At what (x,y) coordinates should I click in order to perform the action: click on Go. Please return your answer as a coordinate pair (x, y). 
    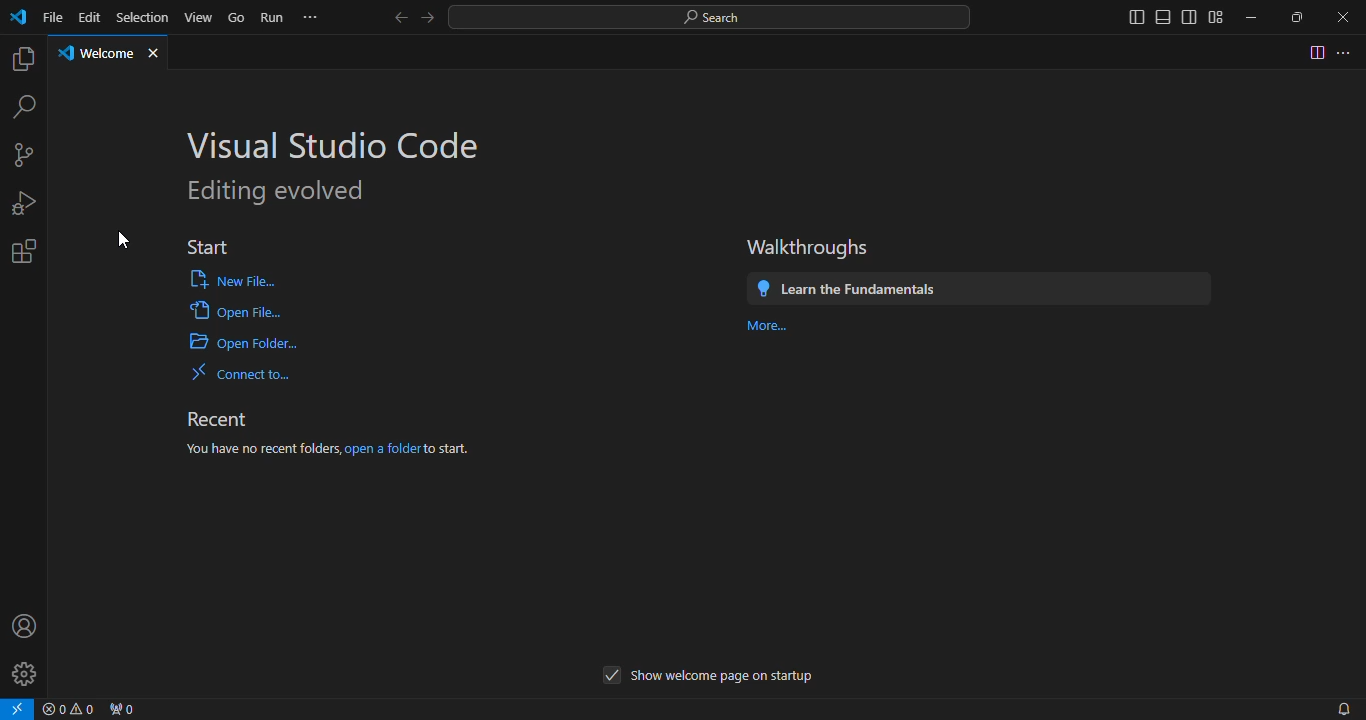
    Looking at the image, I should click on (238, 16).